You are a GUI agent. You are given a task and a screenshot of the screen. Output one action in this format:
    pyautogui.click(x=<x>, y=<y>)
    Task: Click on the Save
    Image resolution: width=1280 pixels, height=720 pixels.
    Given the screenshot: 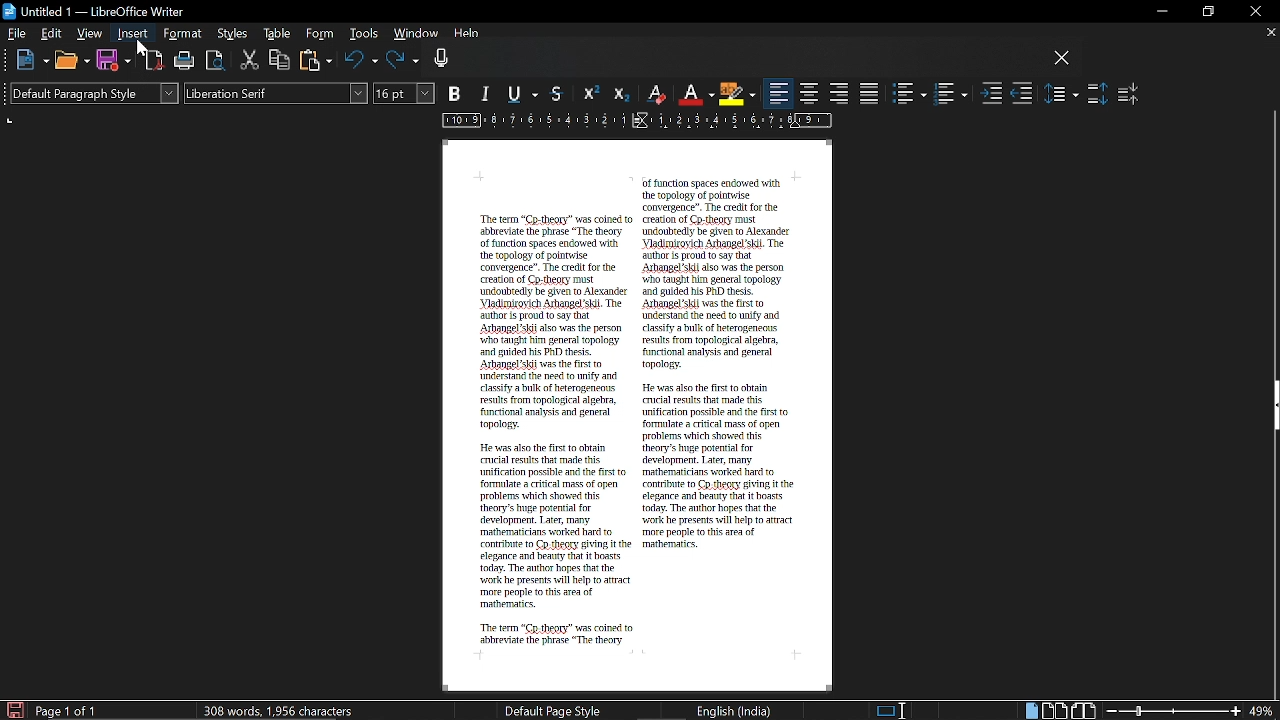 What is the action you would take?
    pyautogui.click(x=113, y=61)
    